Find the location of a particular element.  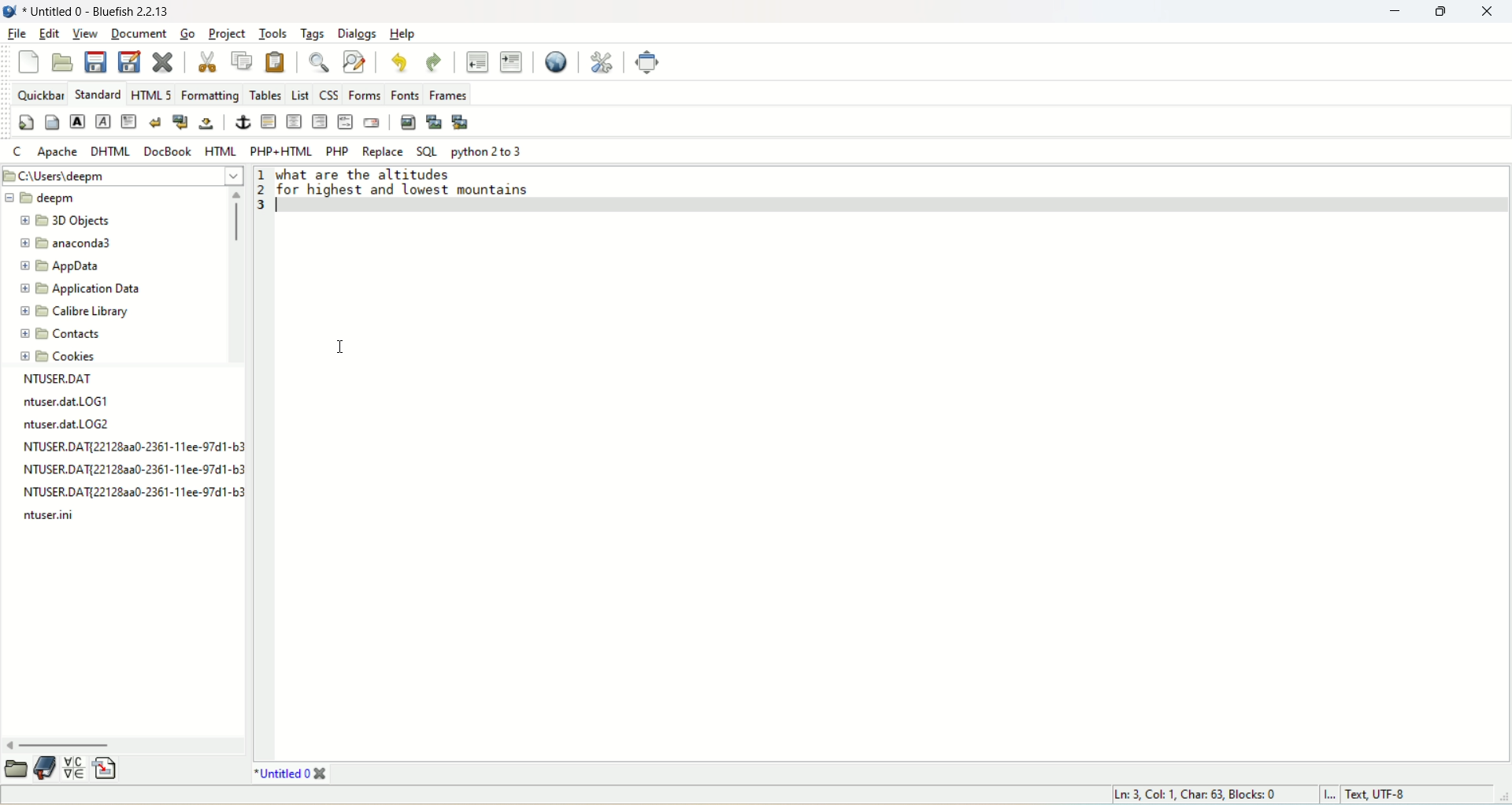

documentation is located at coordinates (48, 768).